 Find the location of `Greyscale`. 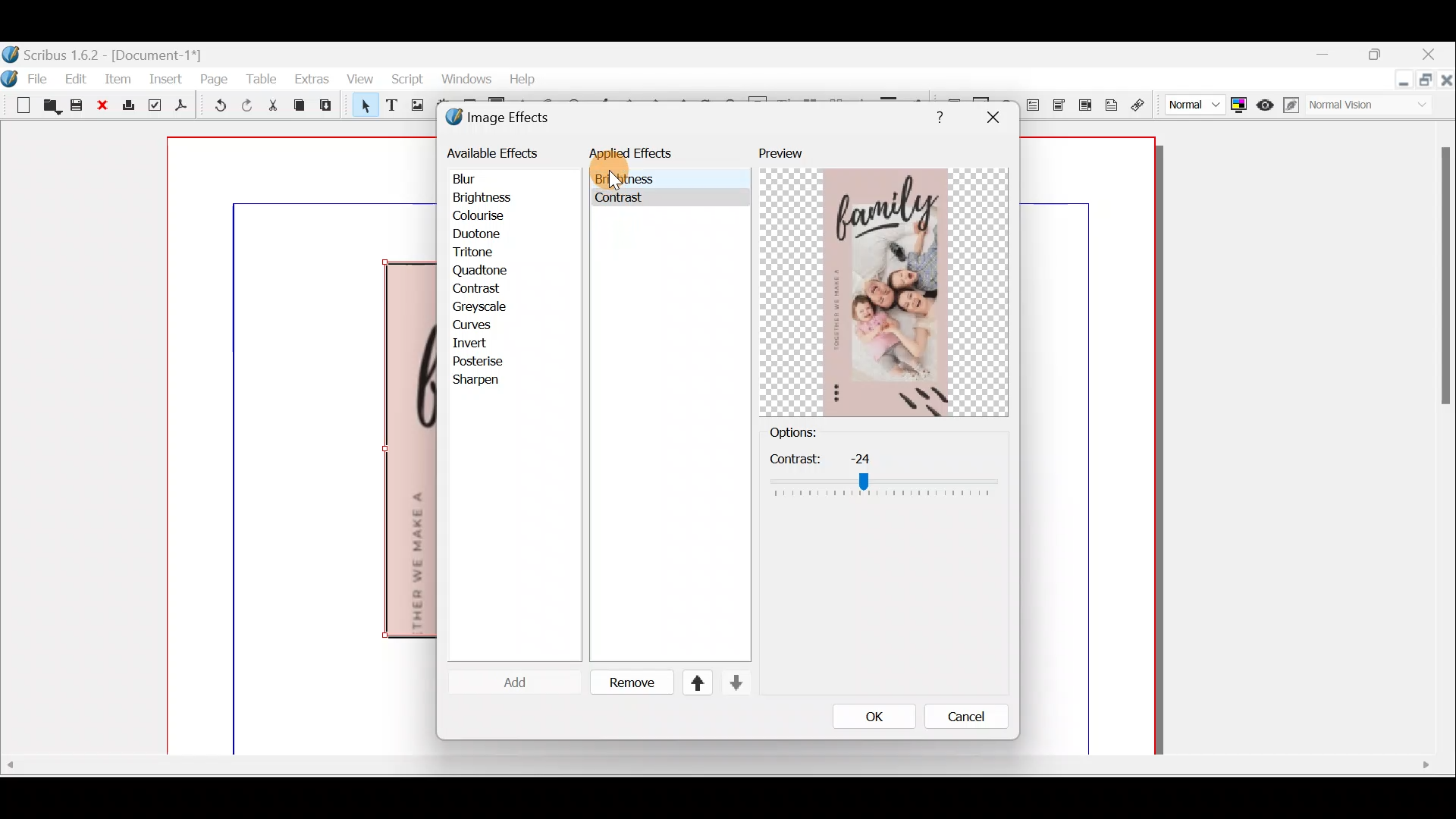

Greyscale is located at coordinates (485, 306).